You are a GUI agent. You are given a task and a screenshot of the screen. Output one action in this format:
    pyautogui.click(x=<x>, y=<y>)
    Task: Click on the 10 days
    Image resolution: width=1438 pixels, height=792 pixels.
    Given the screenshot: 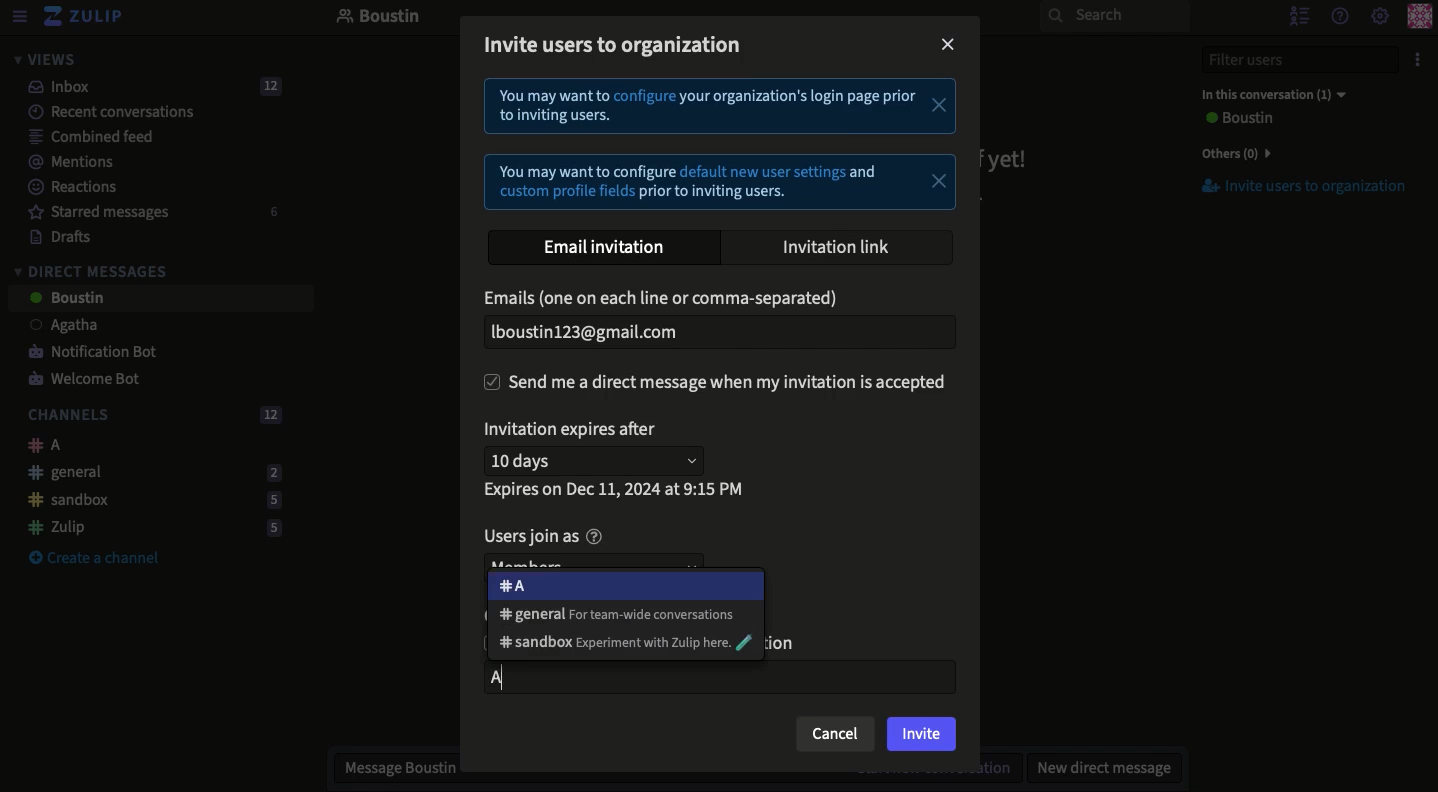 What is the action you would take?
    pyautogui.click(x=599, y=459)
    